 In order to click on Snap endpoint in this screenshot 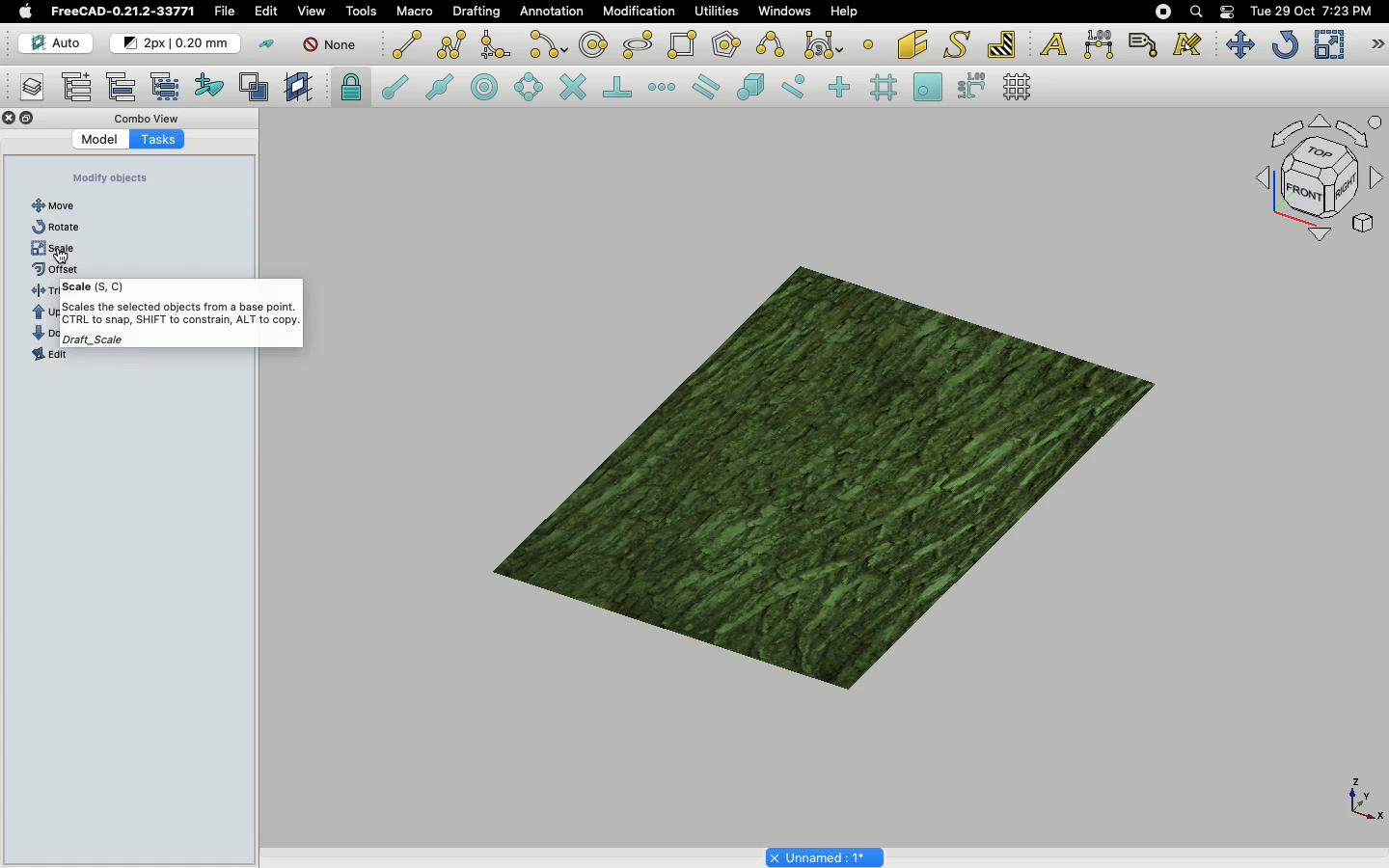, I will do `click(392, 84)`.